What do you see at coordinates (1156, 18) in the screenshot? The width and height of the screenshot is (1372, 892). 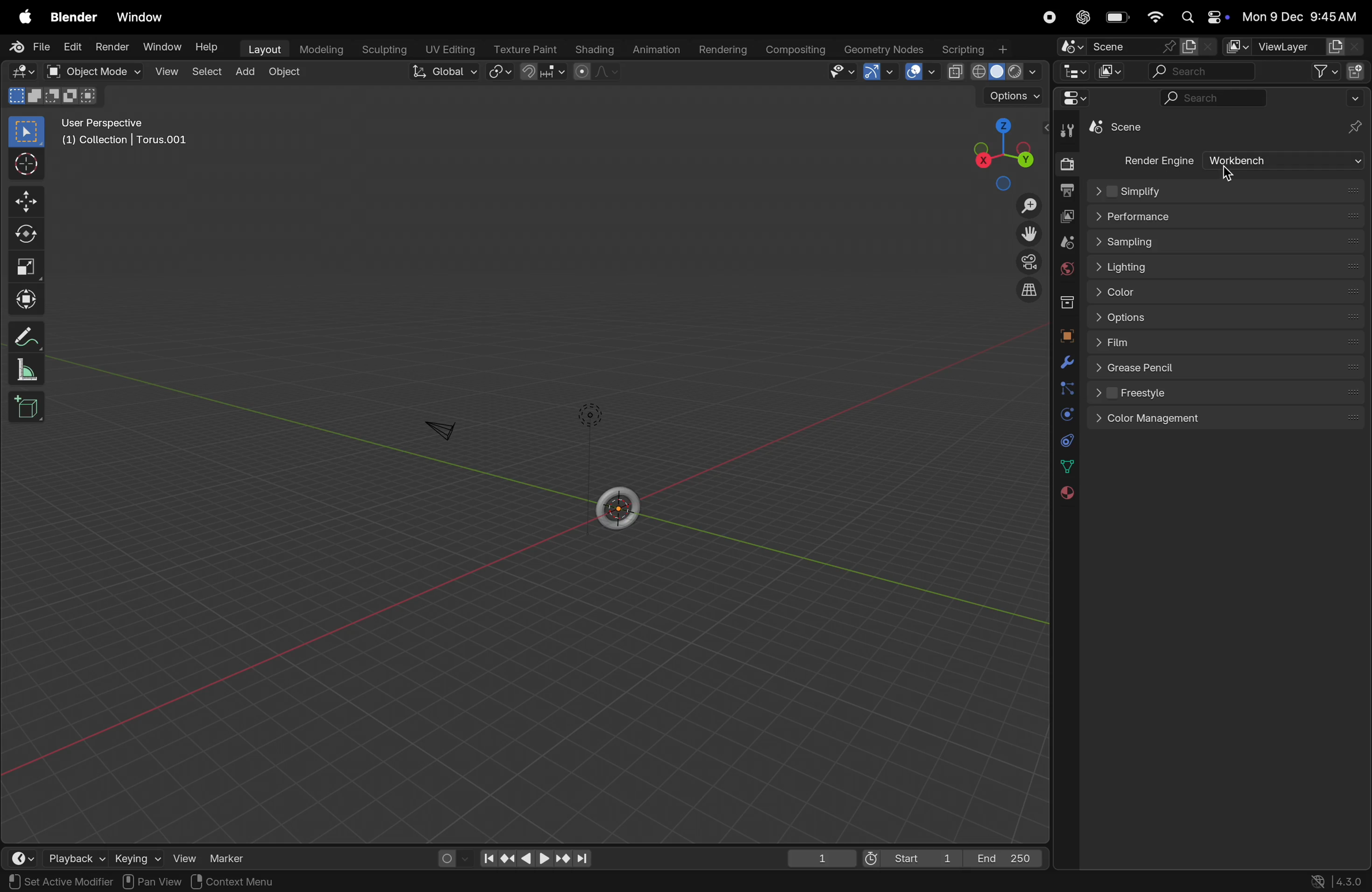 I see `wifi` at bounding box center [1156, 18].